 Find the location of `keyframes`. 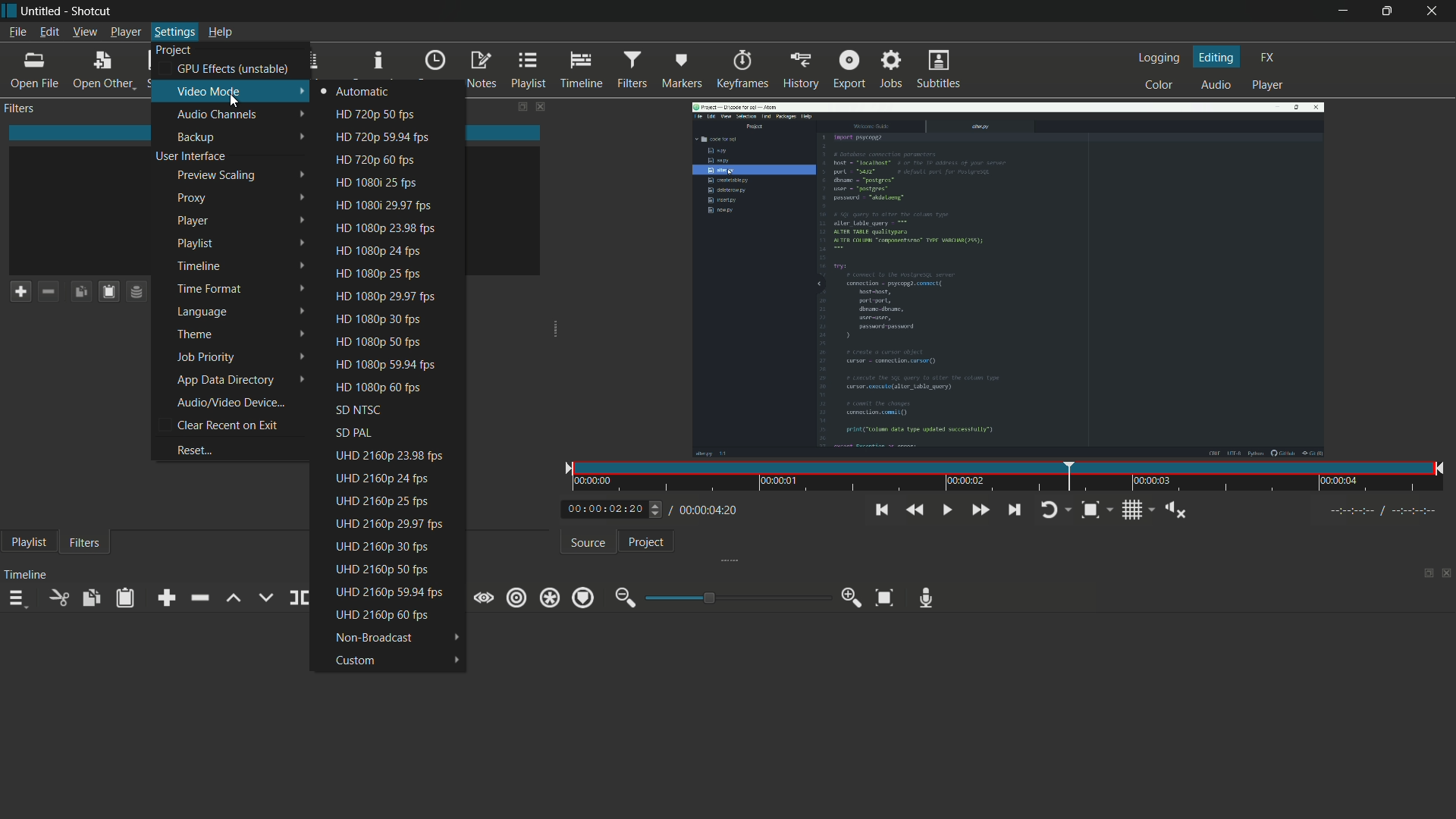

keyframes is located at coordinates (741, 69).